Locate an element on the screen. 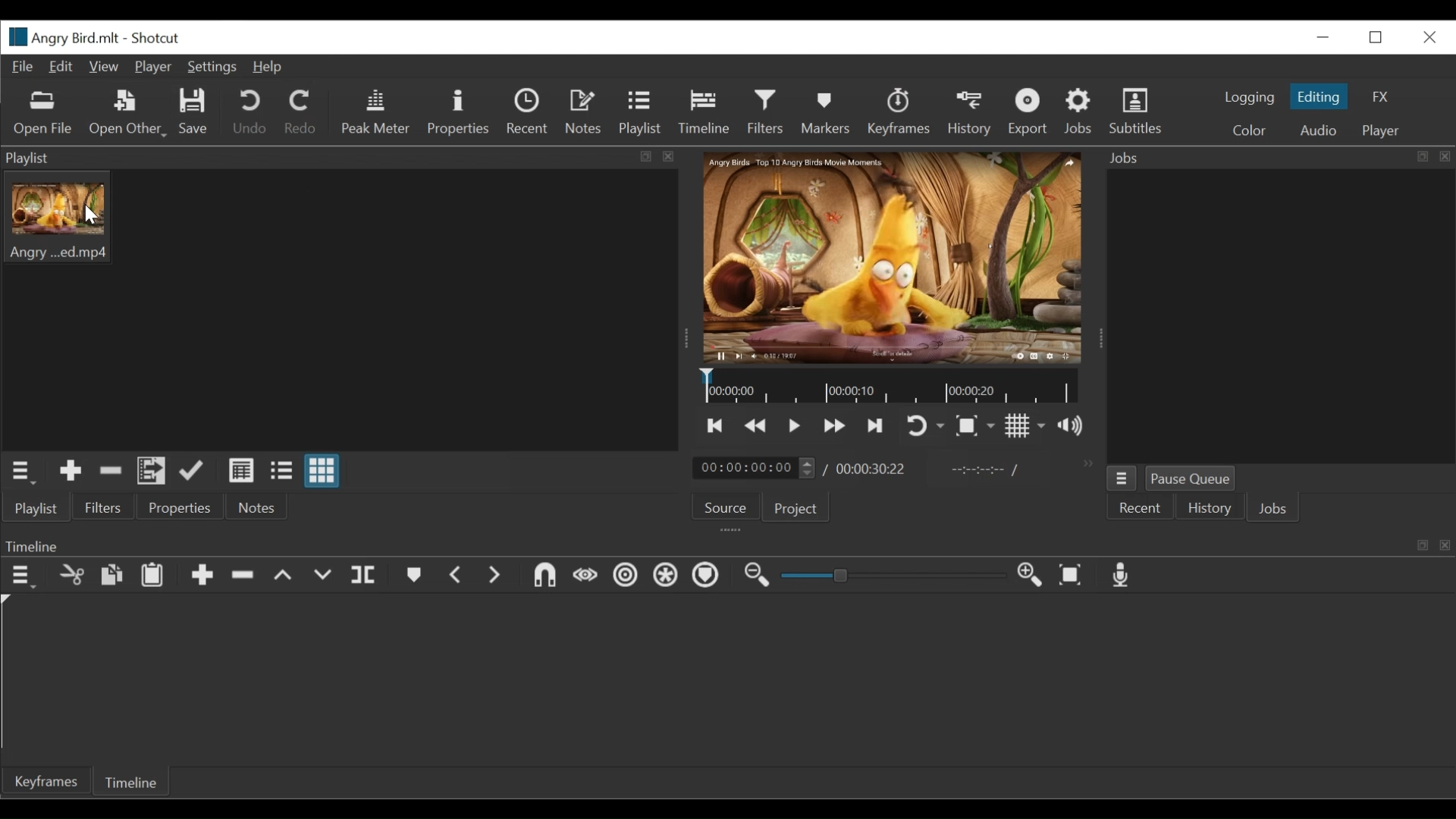 The width and height of the screenshot is (1456, 819). Close is located at coordinates (1428, 38).